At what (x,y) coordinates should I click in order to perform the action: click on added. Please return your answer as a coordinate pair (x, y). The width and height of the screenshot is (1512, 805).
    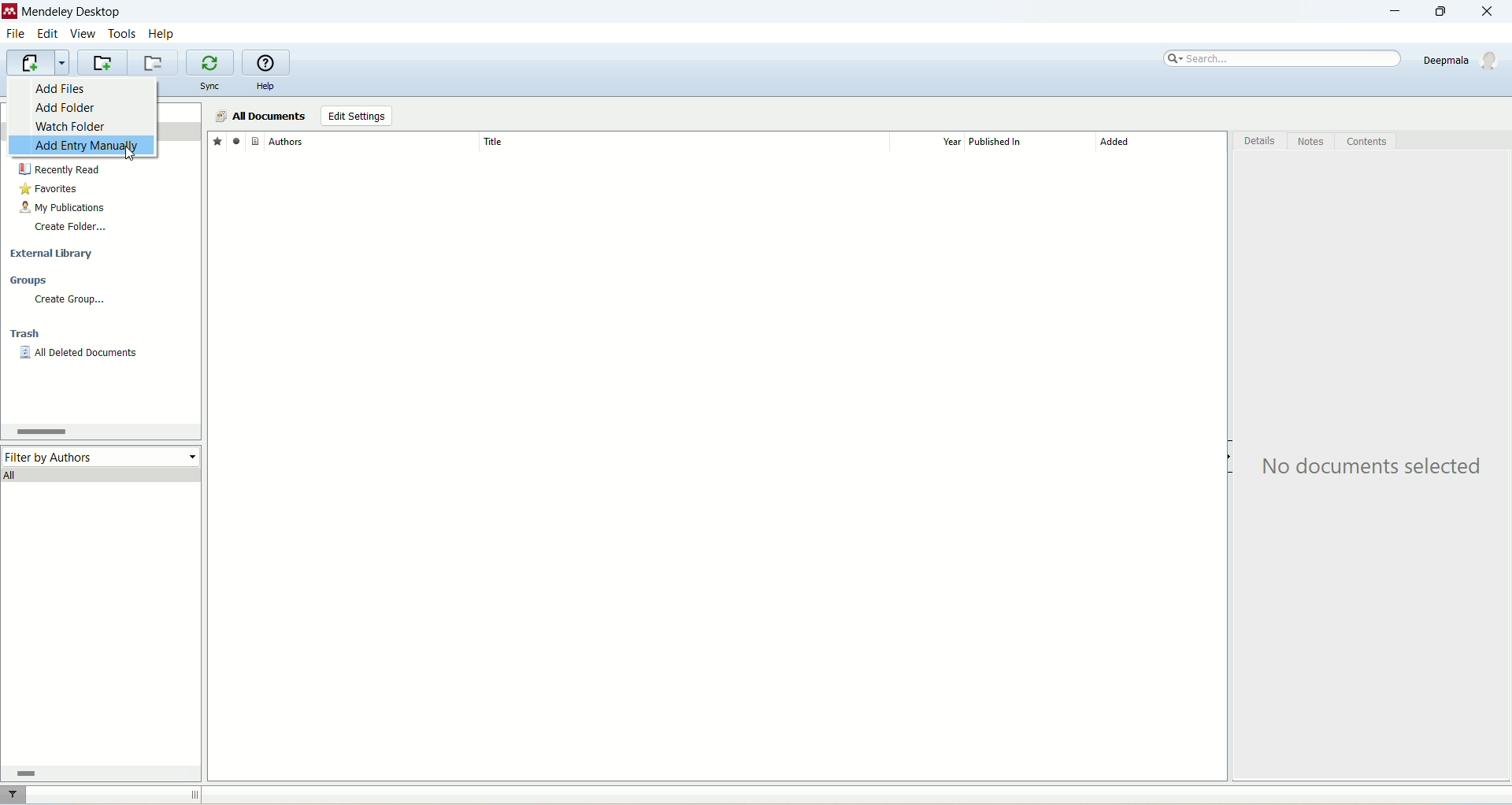
    Looking at the image, I should click on (1162, 146).